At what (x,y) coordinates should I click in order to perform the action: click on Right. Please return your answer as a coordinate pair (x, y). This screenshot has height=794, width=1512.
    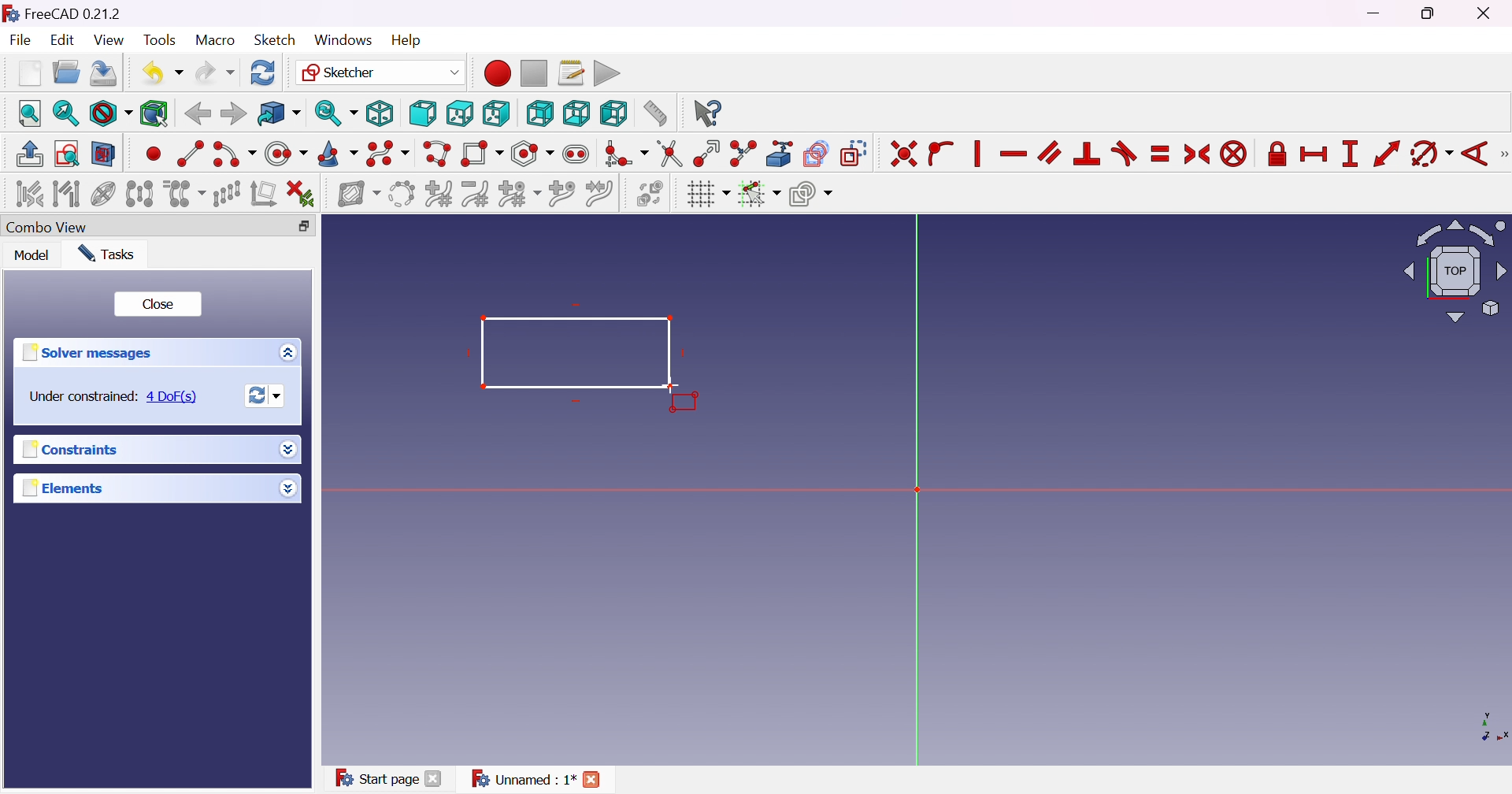
    Looking at the image, I should click on (495, 113).